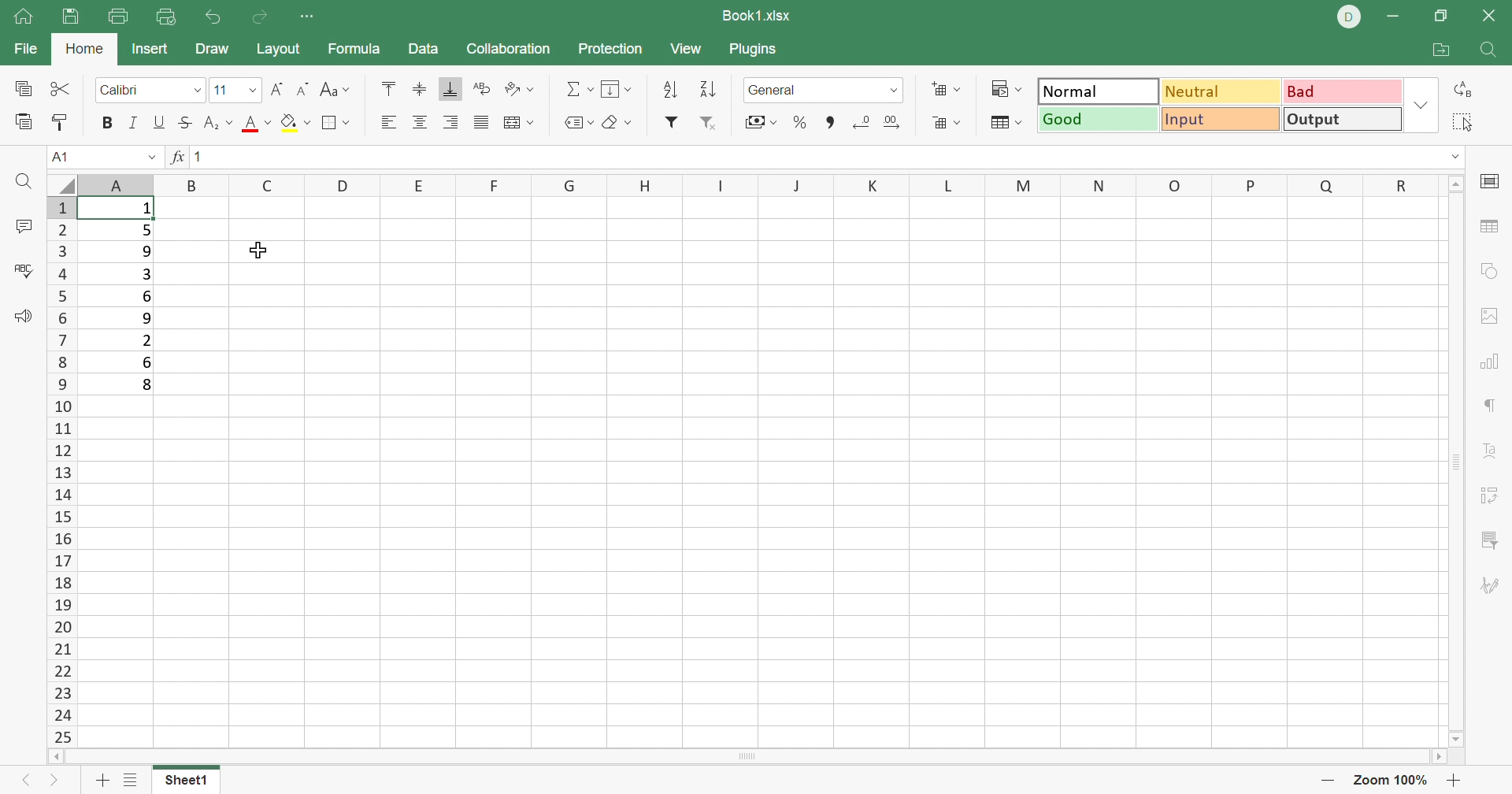 The height and width of the screenshot is (794, 1512). What do you see at coordinates (1221, 91) in the screenshot?
I see `Neutral` at bounding box center [1221, 91].